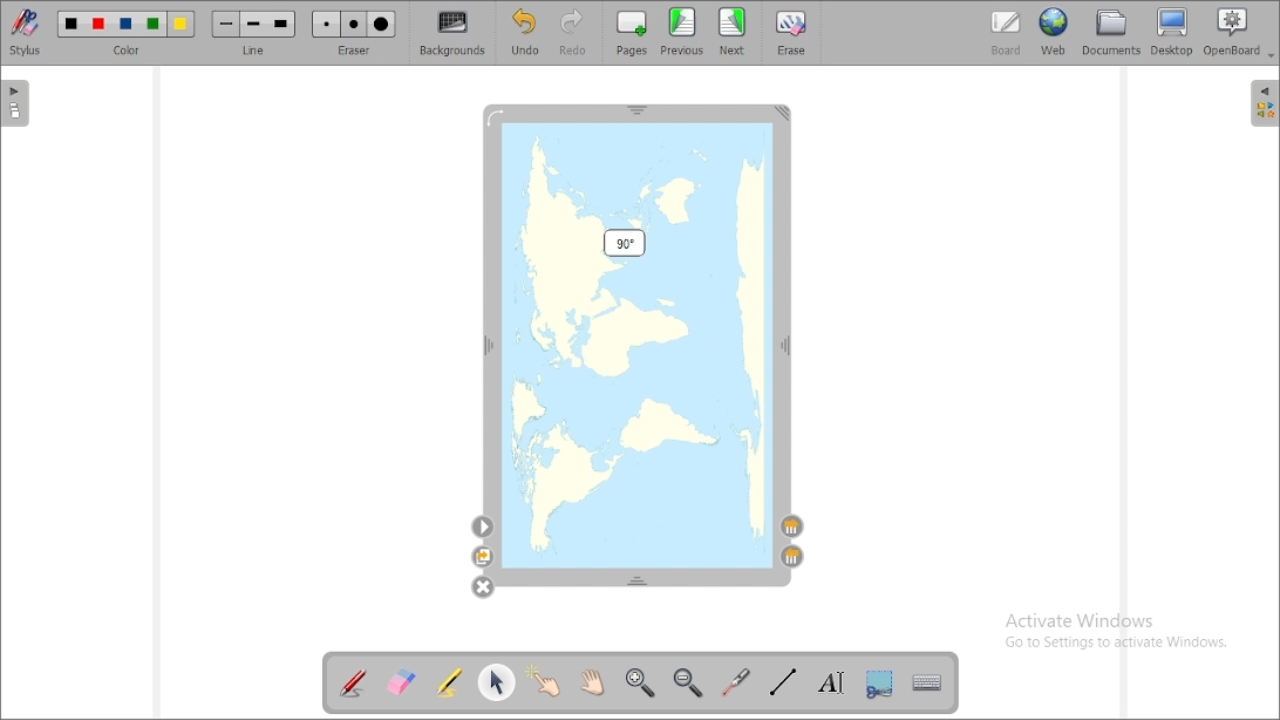 Image resolution: width=1280 pixels, height=720 pixels. What do you see at coordinates (448, 682) in the screenshot?
I see `highlight` at bounding box center [448, 682].